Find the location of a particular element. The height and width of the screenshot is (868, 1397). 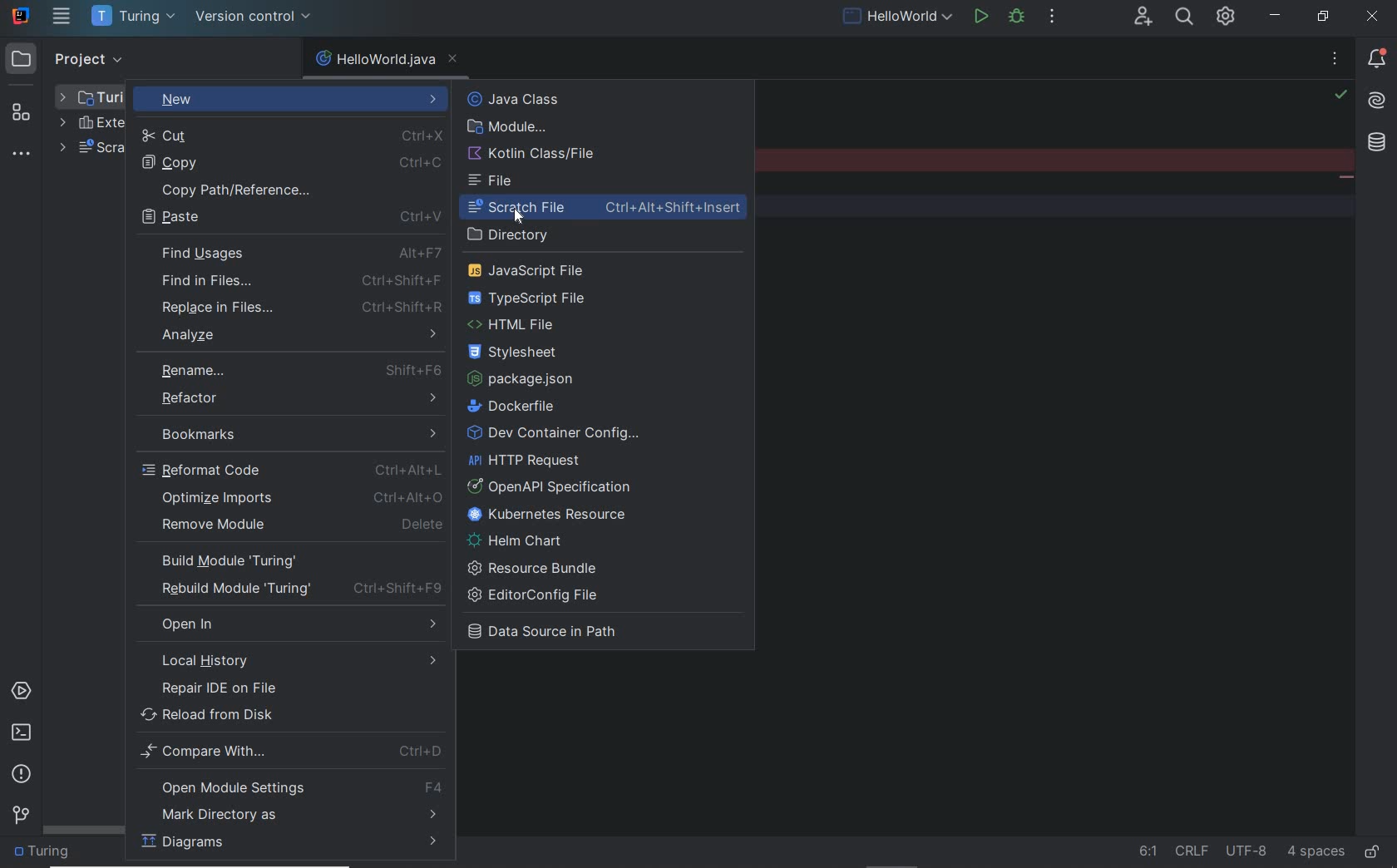

analyze is located at coordinates (299, 333).